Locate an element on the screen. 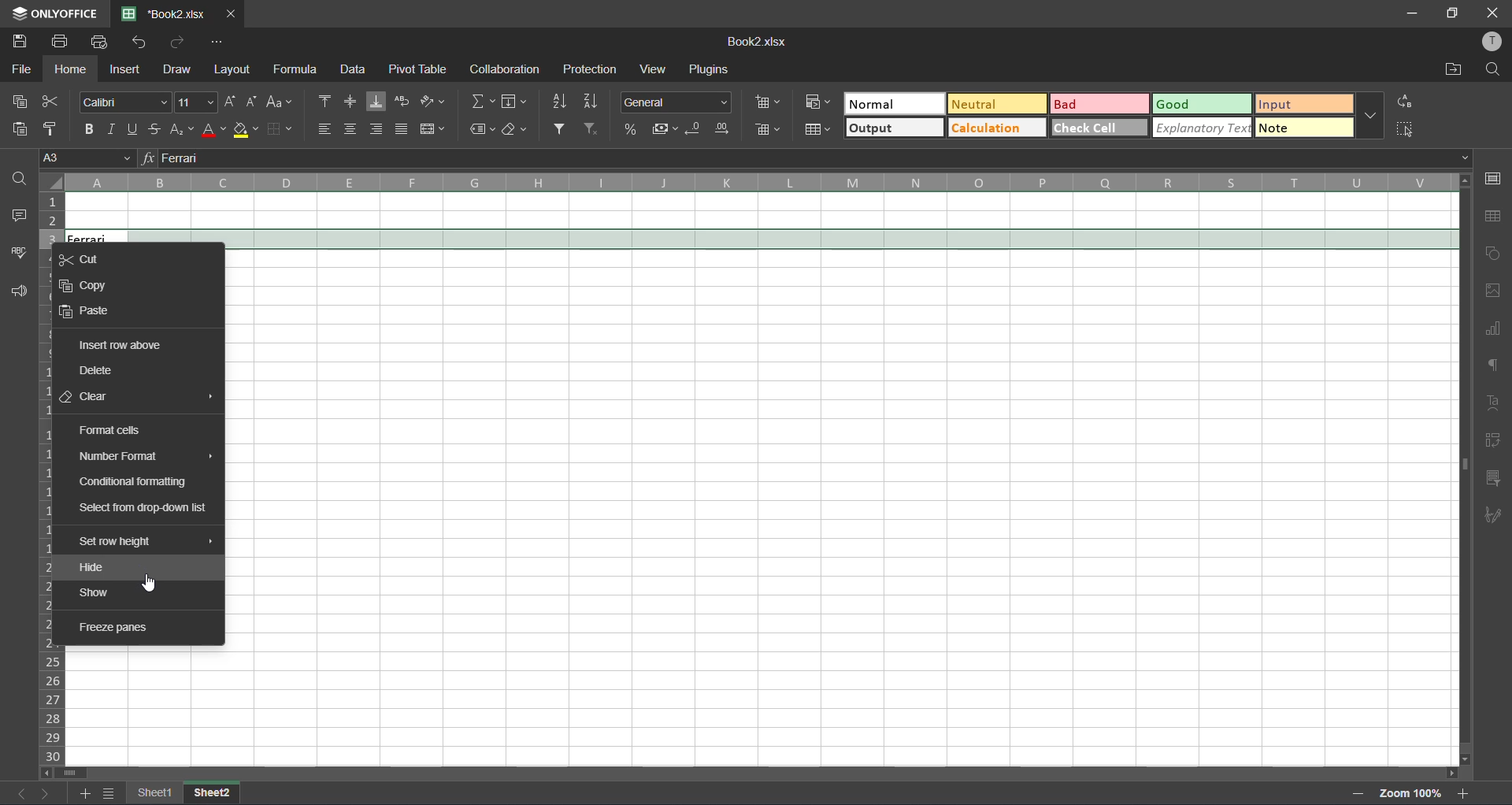  draw is located at coordinates (178, 72).